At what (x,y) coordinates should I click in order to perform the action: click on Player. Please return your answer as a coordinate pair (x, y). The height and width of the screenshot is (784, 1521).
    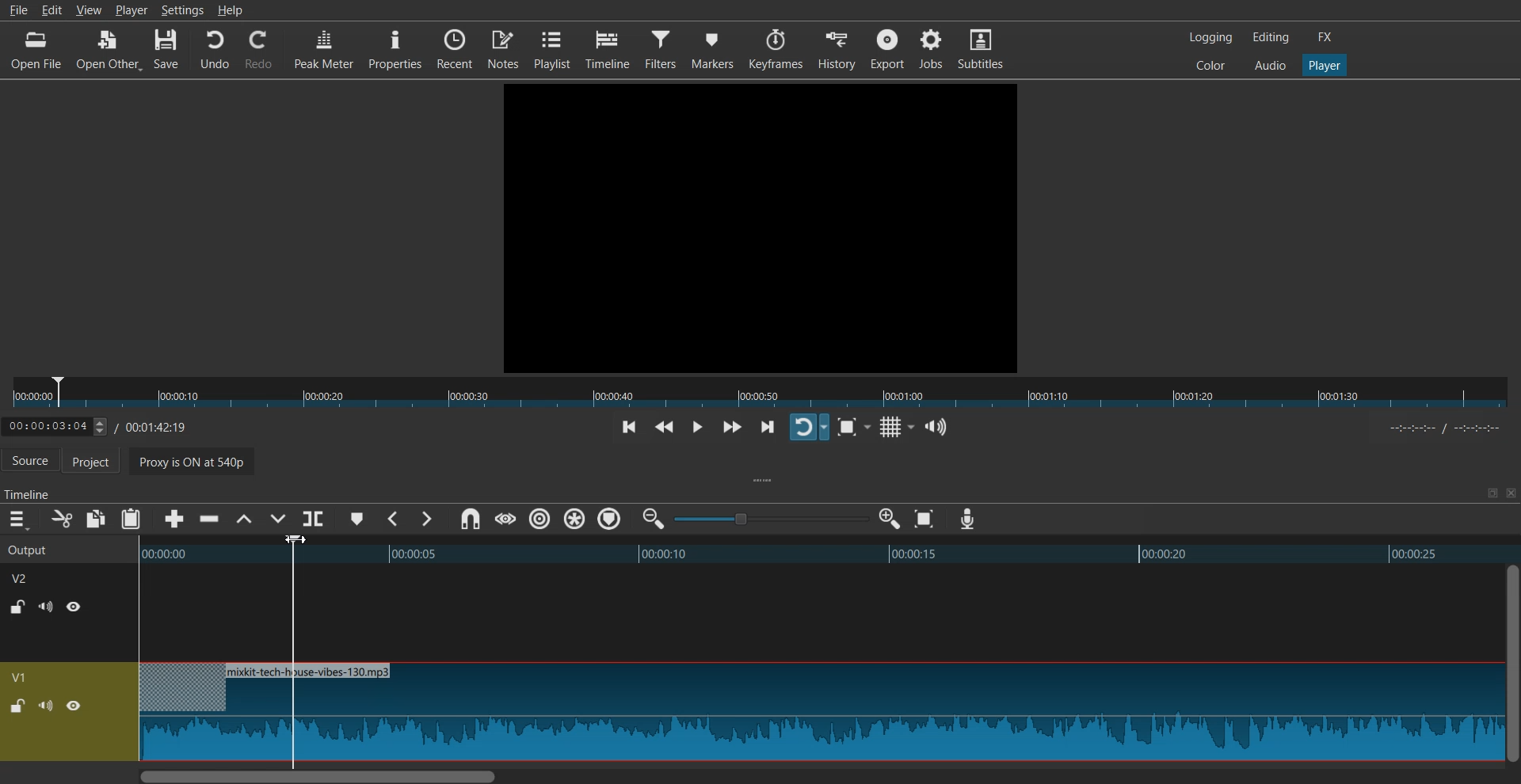
    Looking at the image, I should click on (1325, 66).